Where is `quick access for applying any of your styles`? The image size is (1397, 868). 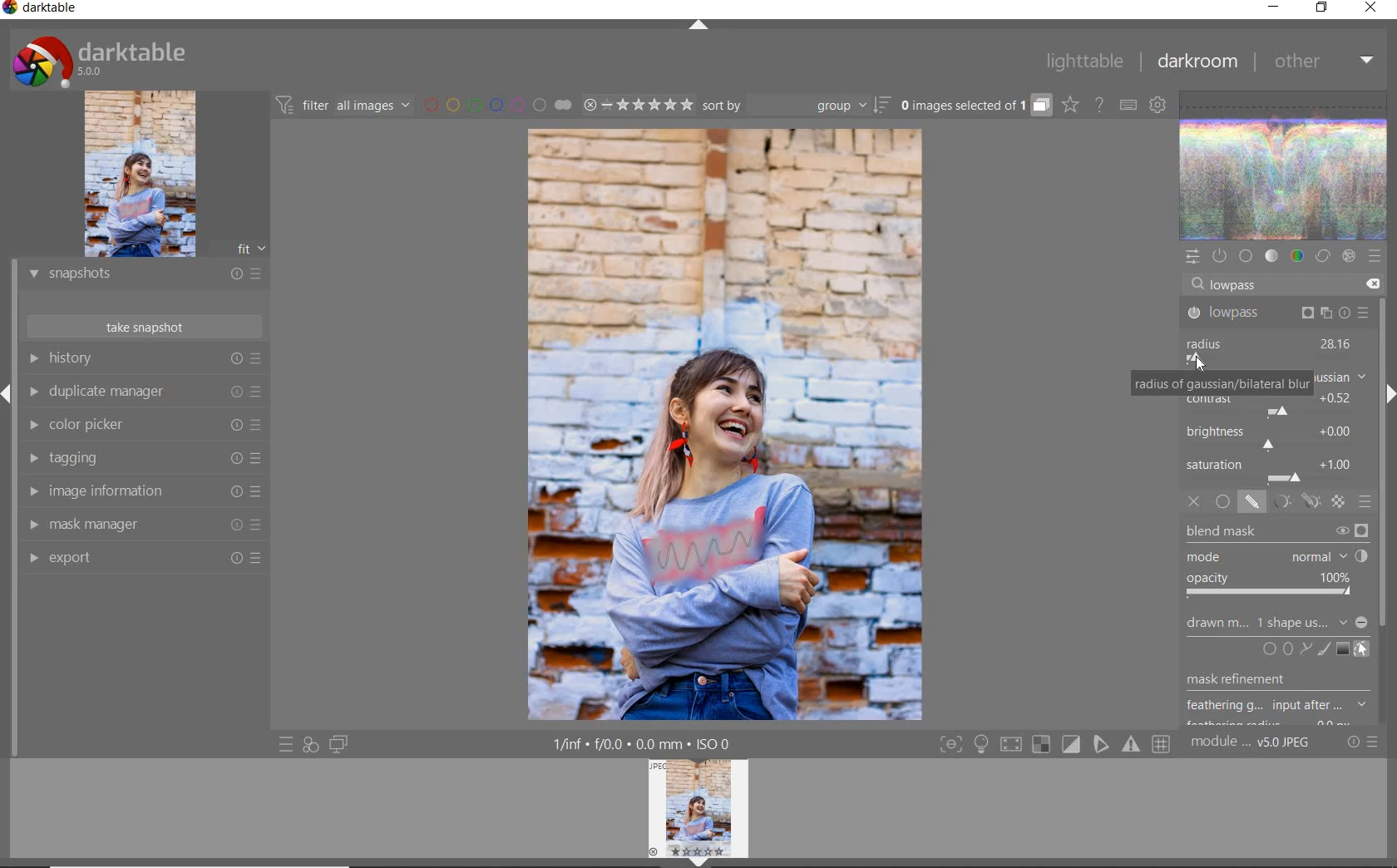
quick access for applying any of your styles is located at coordinates (311, 744).